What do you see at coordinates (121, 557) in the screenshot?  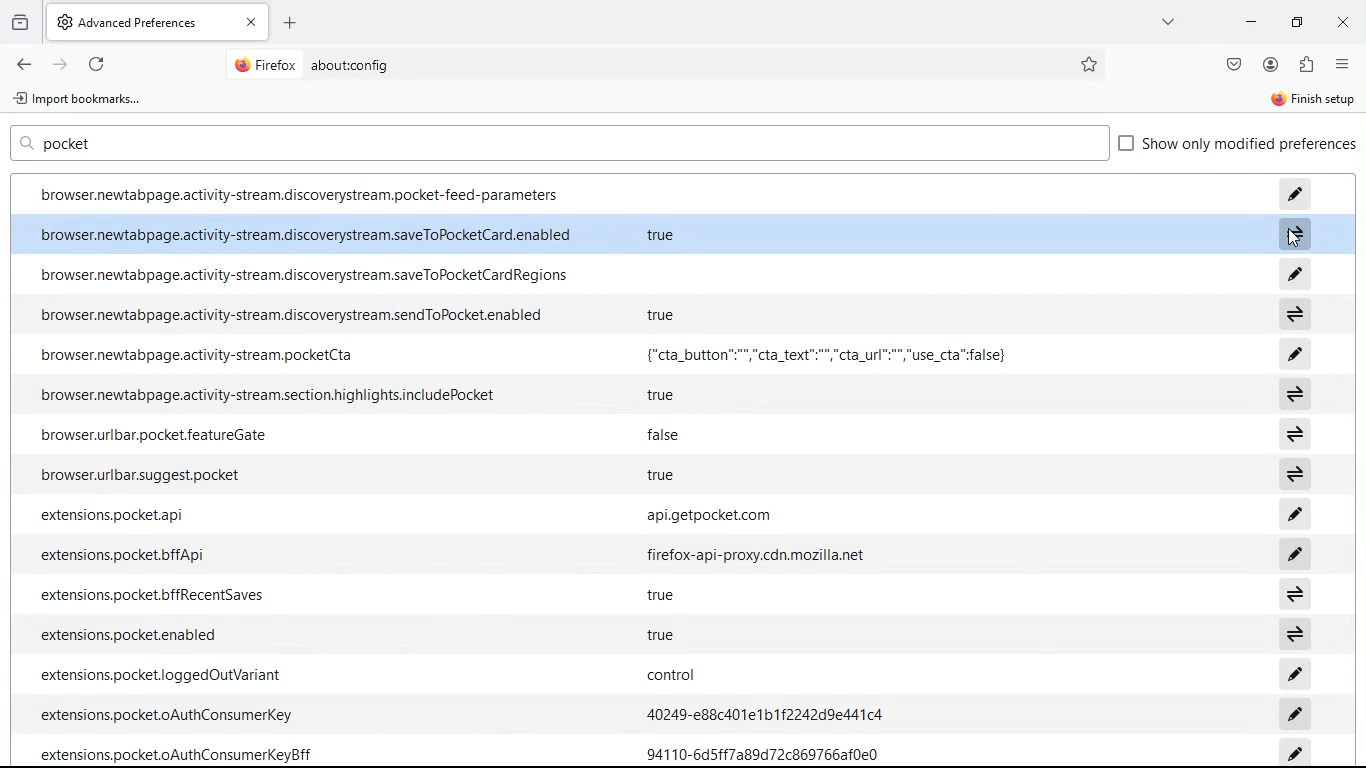 I see `extensions.pocket.bffApi` at bounding box center [121, 557].